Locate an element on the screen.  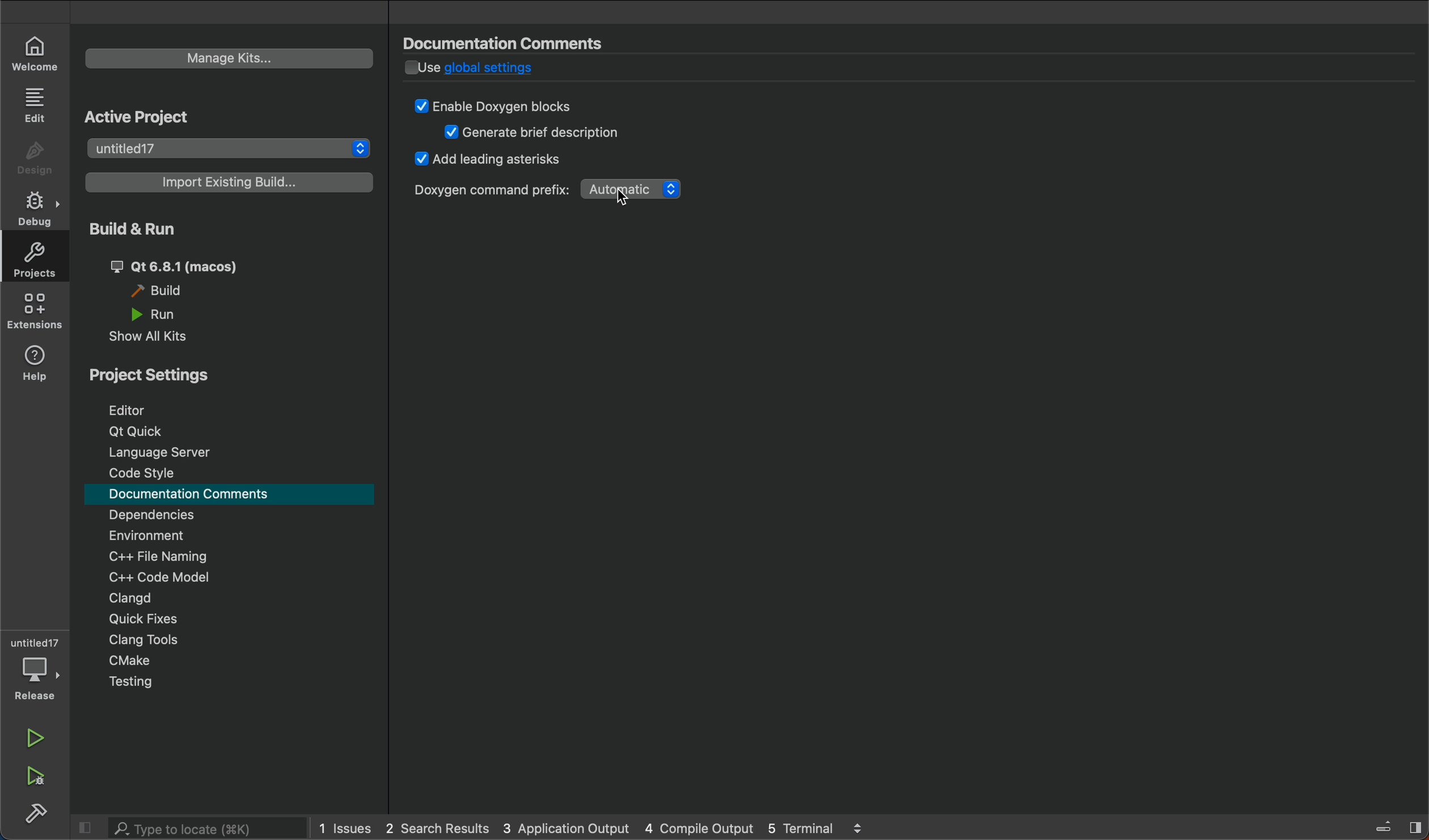
welcome is located at coordinates (33, 50).